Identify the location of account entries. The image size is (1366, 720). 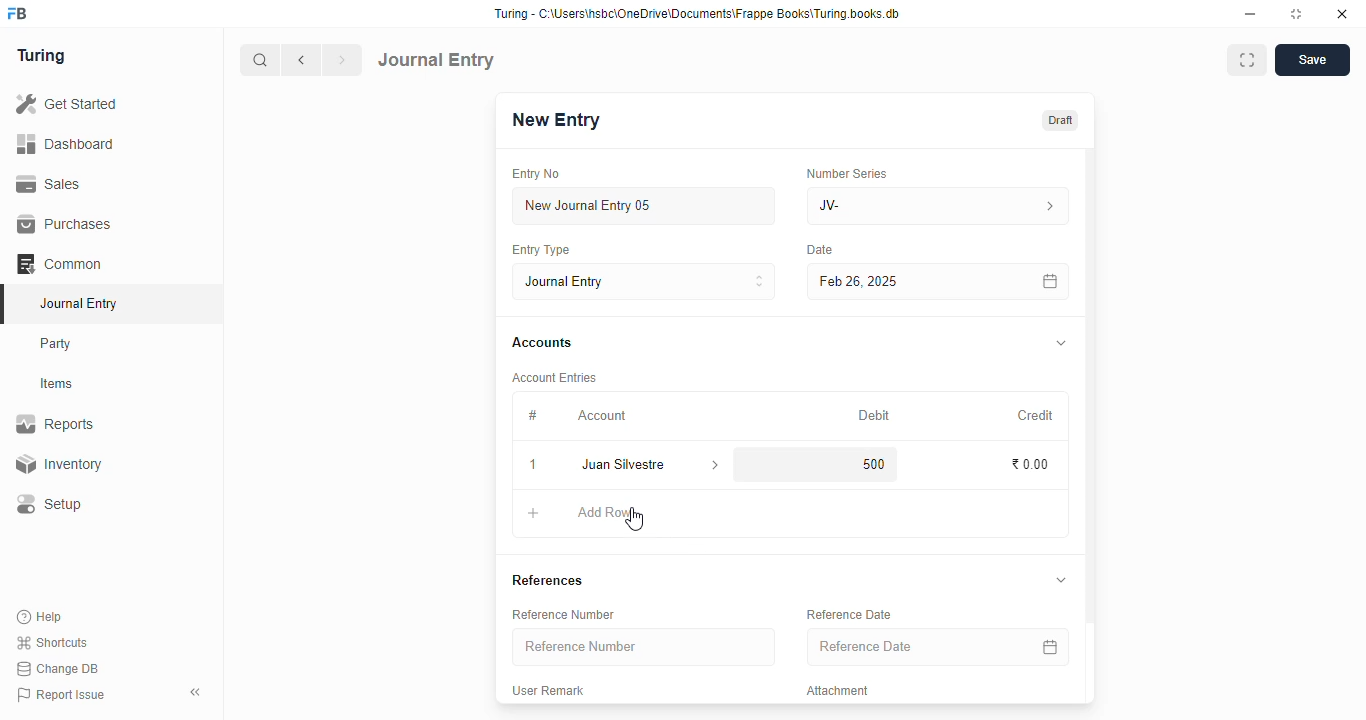
(554, 377).